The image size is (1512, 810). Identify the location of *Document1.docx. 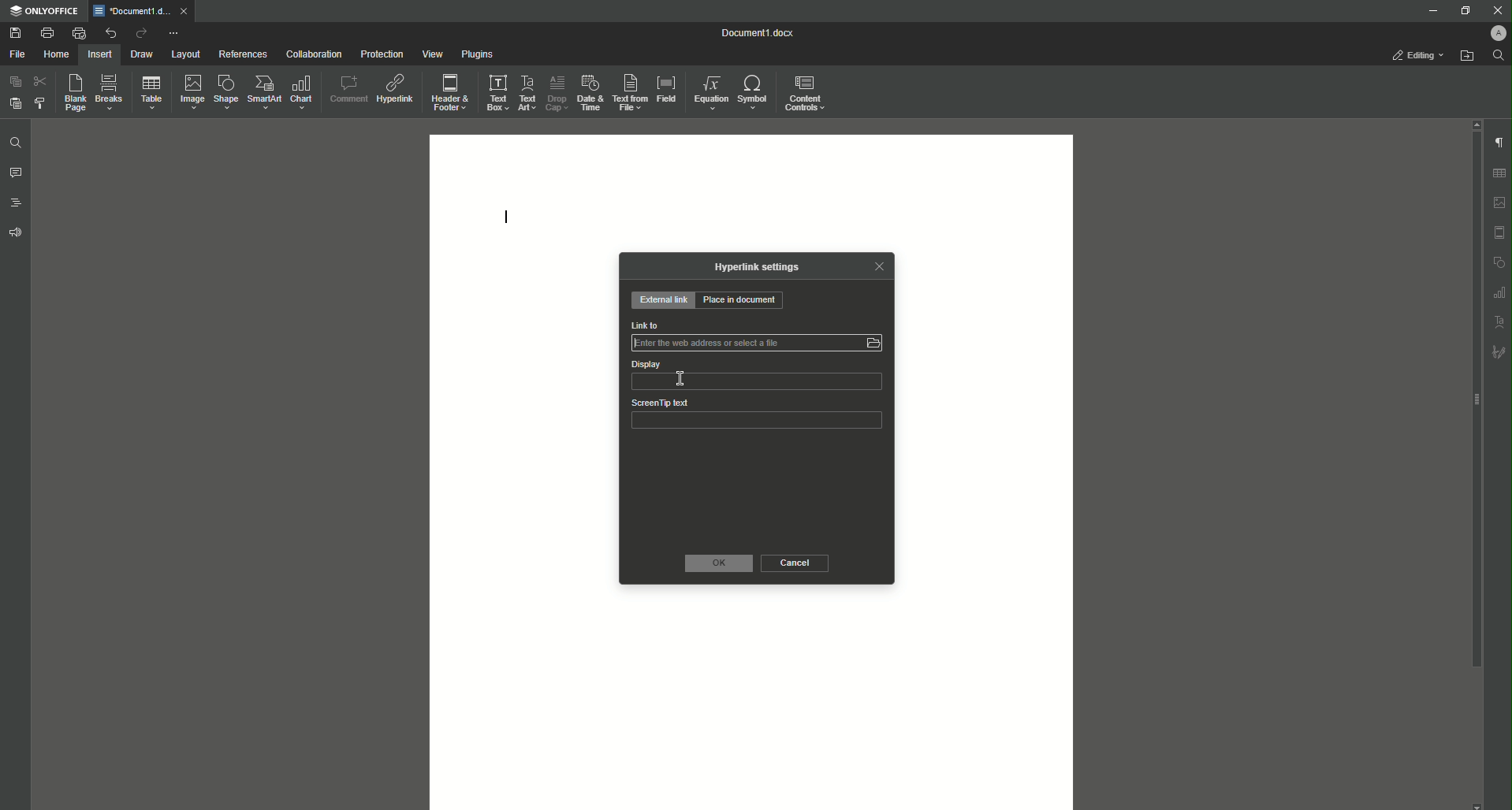
(131, 11).